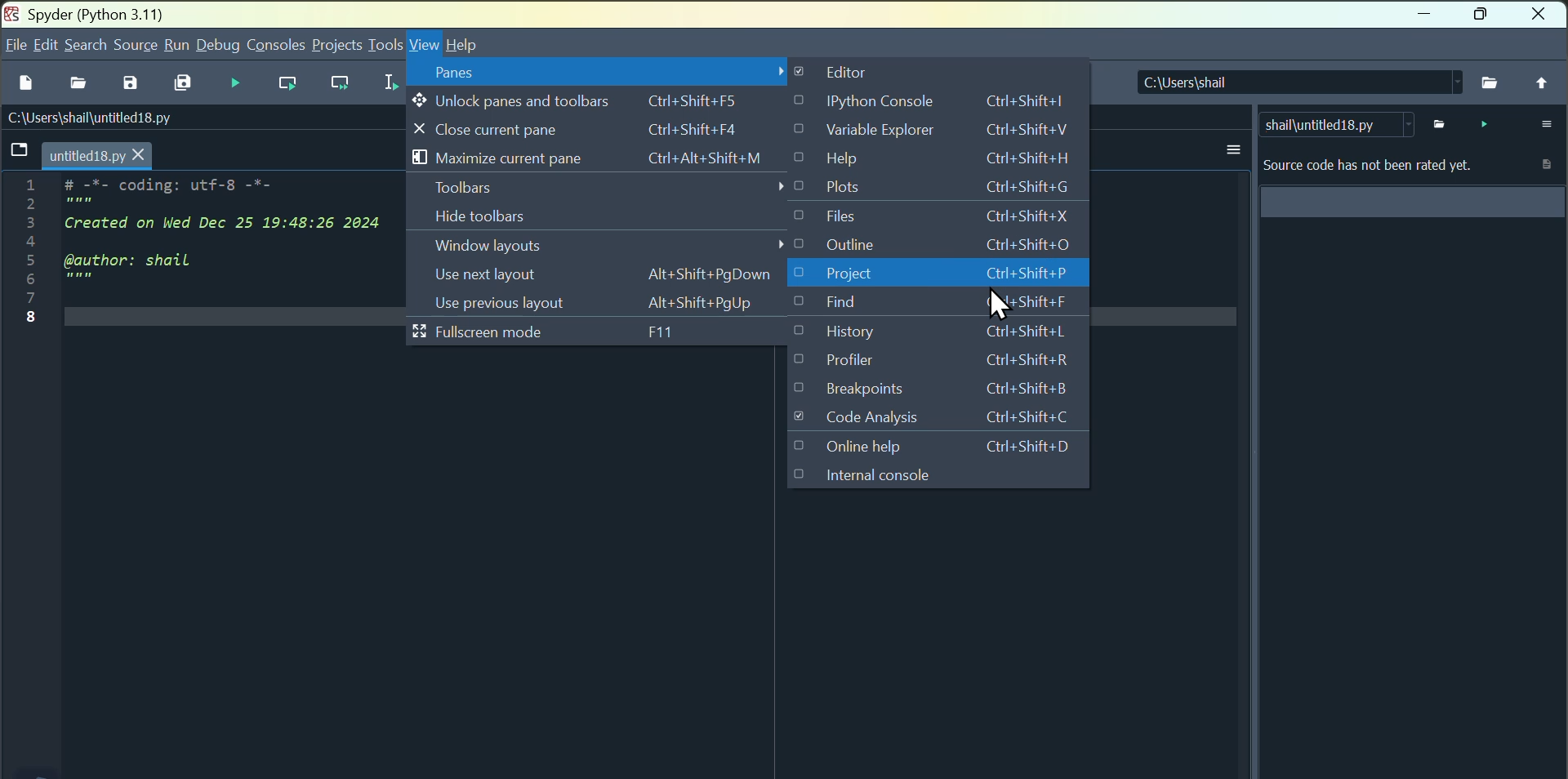 This screenshot has width=1568, height=779. I want to click on shail\untitled18.py, so click(1336, 123).